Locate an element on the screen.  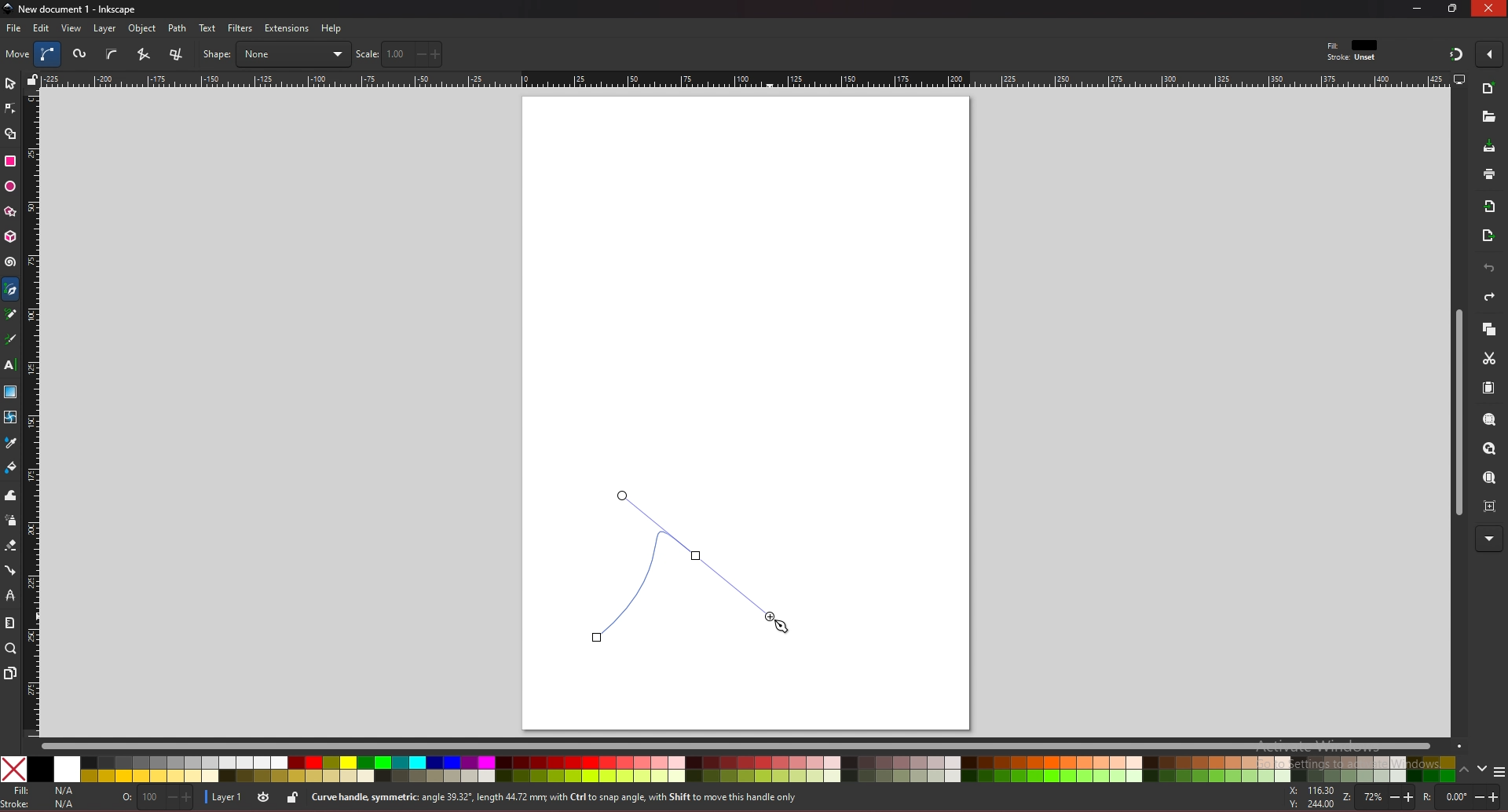
vertical rule is located at coordinates (31, 415).